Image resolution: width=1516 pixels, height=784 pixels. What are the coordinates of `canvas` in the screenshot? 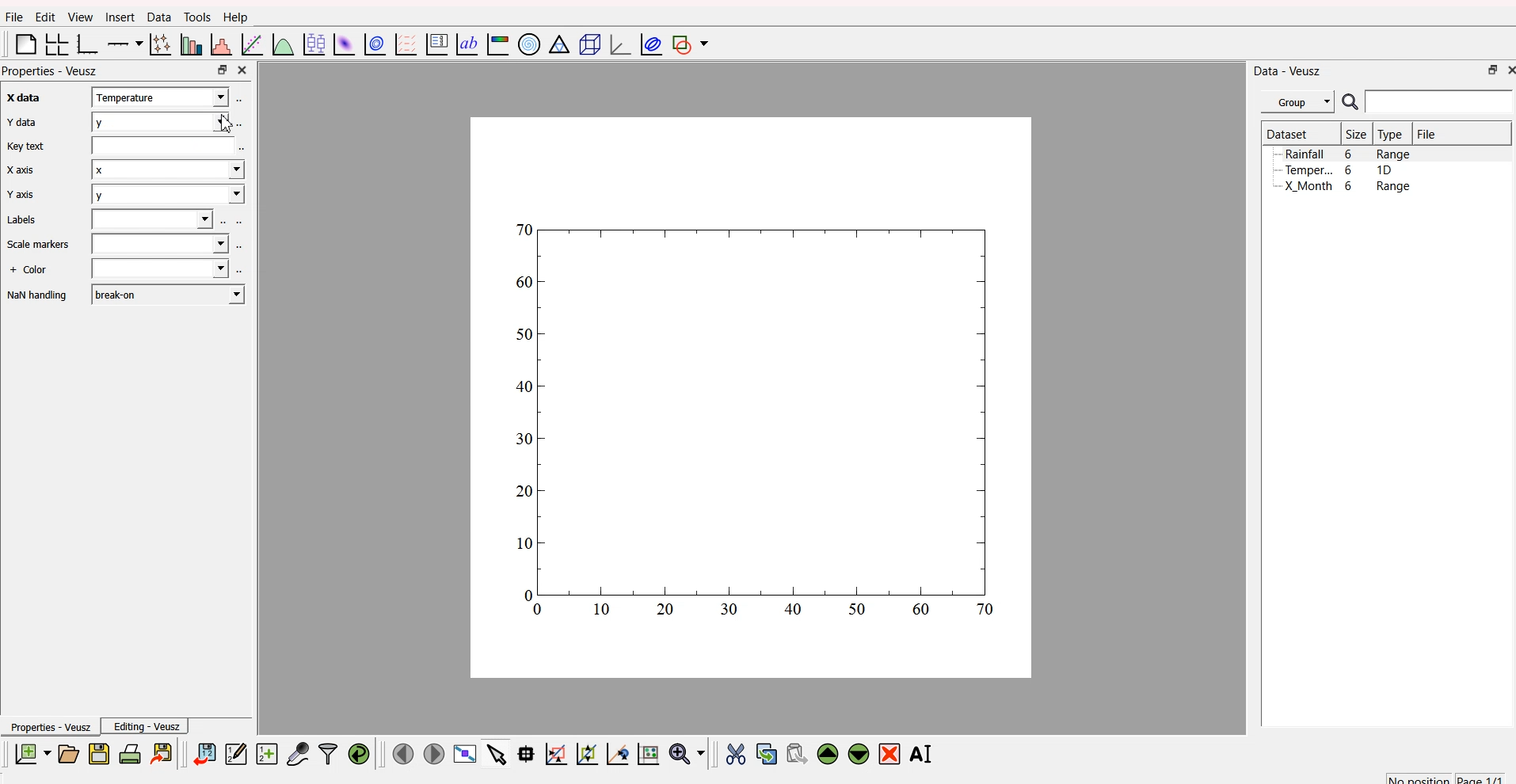 It's located at (752, 400).